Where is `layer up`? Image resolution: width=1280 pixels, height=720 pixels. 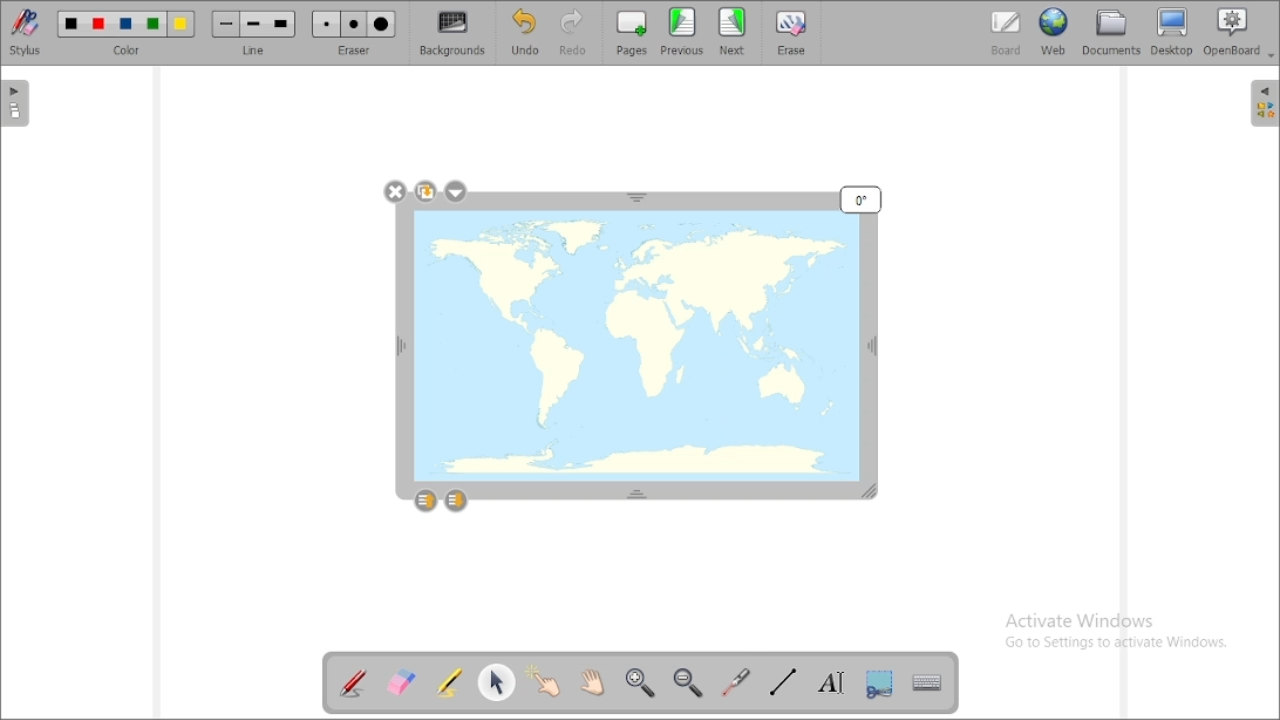
layer up is located at coordinates (426, 501).